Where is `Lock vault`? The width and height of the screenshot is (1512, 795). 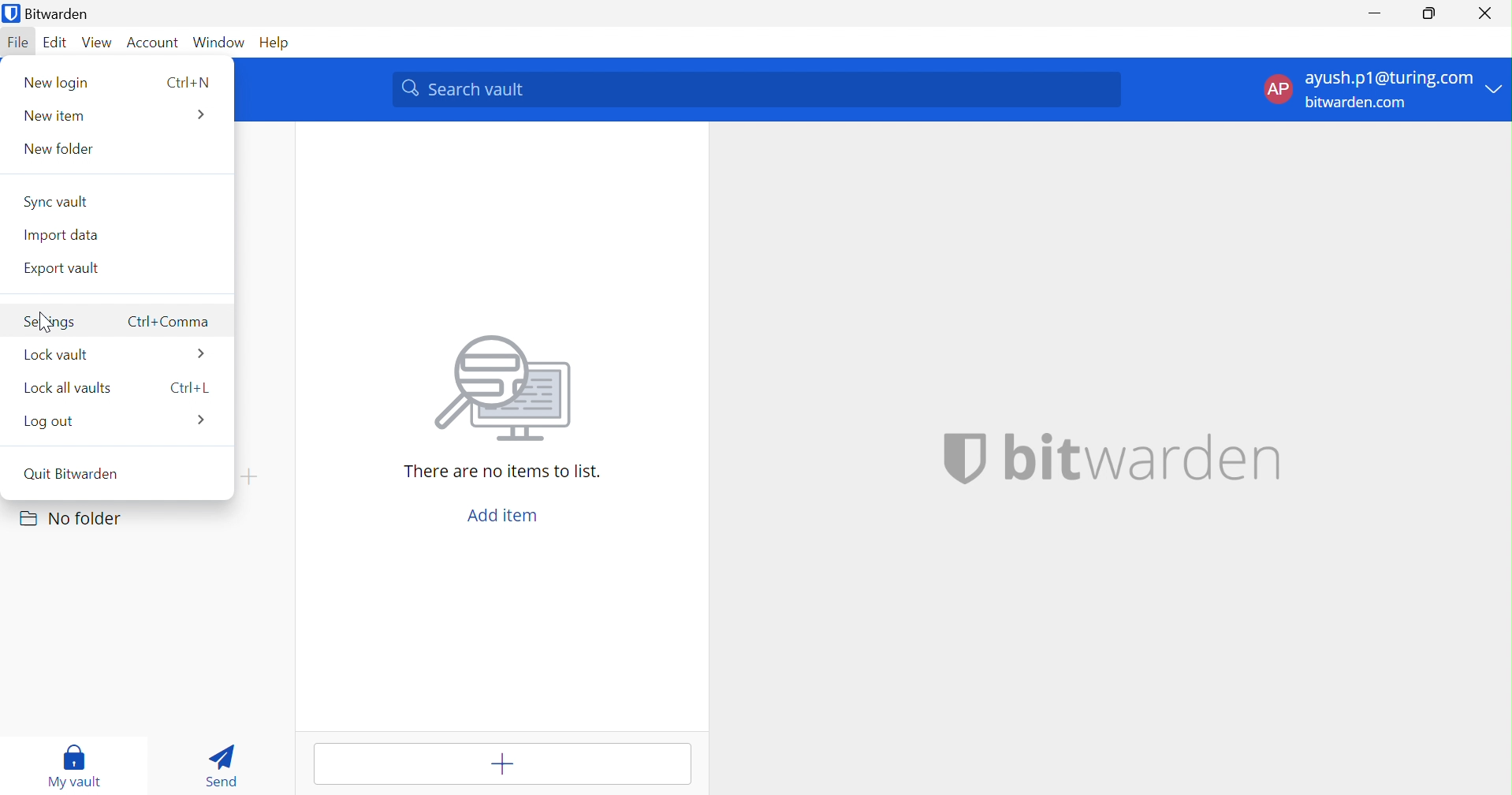 Lock vault is located at coordinates (58, 352).